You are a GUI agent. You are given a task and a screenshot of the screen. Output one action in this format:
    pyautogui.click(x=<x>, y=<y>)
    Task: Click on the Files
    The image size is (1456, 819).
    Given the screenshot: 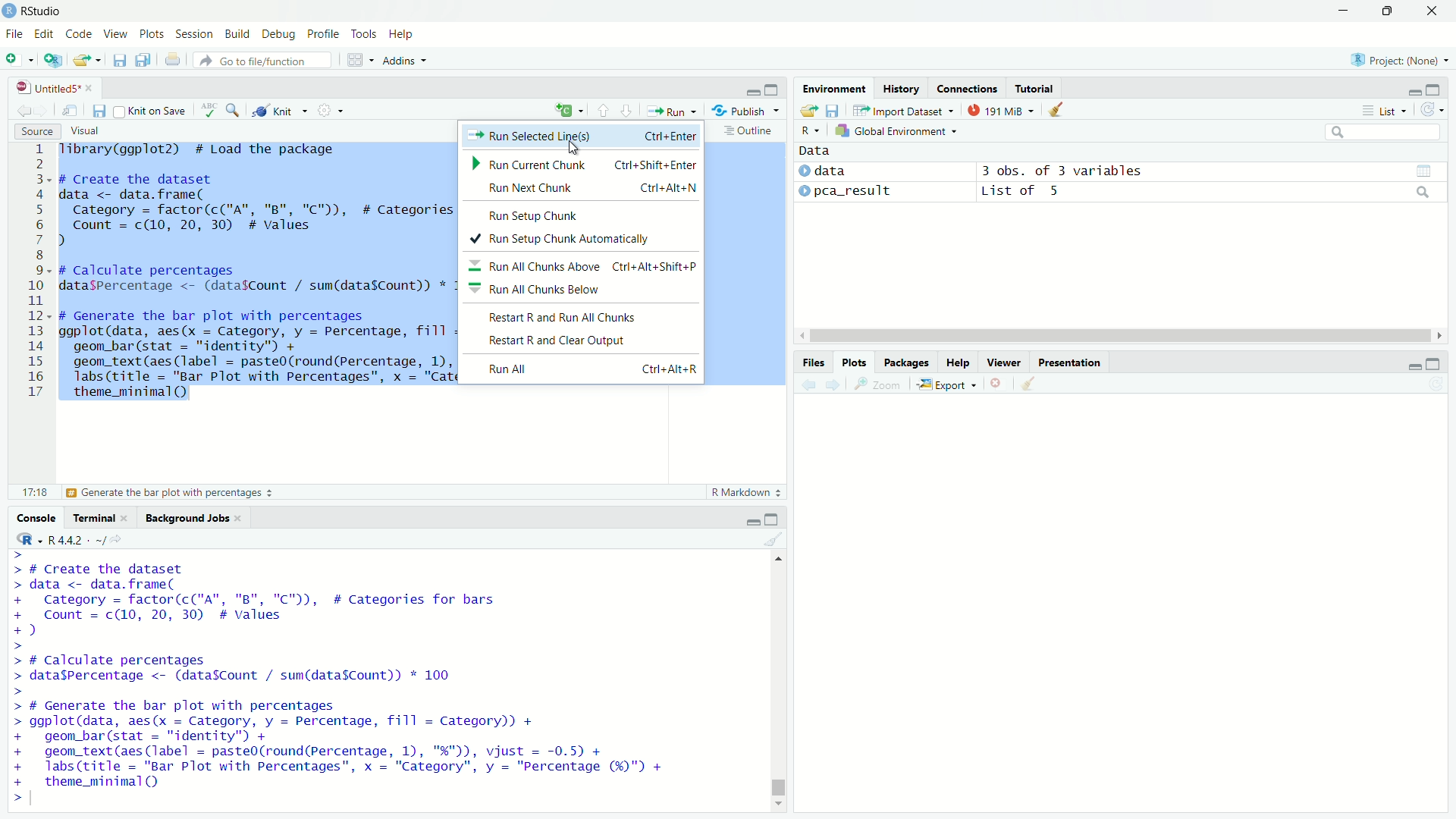 What is the action you would take?
    pyautogui.click(x=813, y=362)
    